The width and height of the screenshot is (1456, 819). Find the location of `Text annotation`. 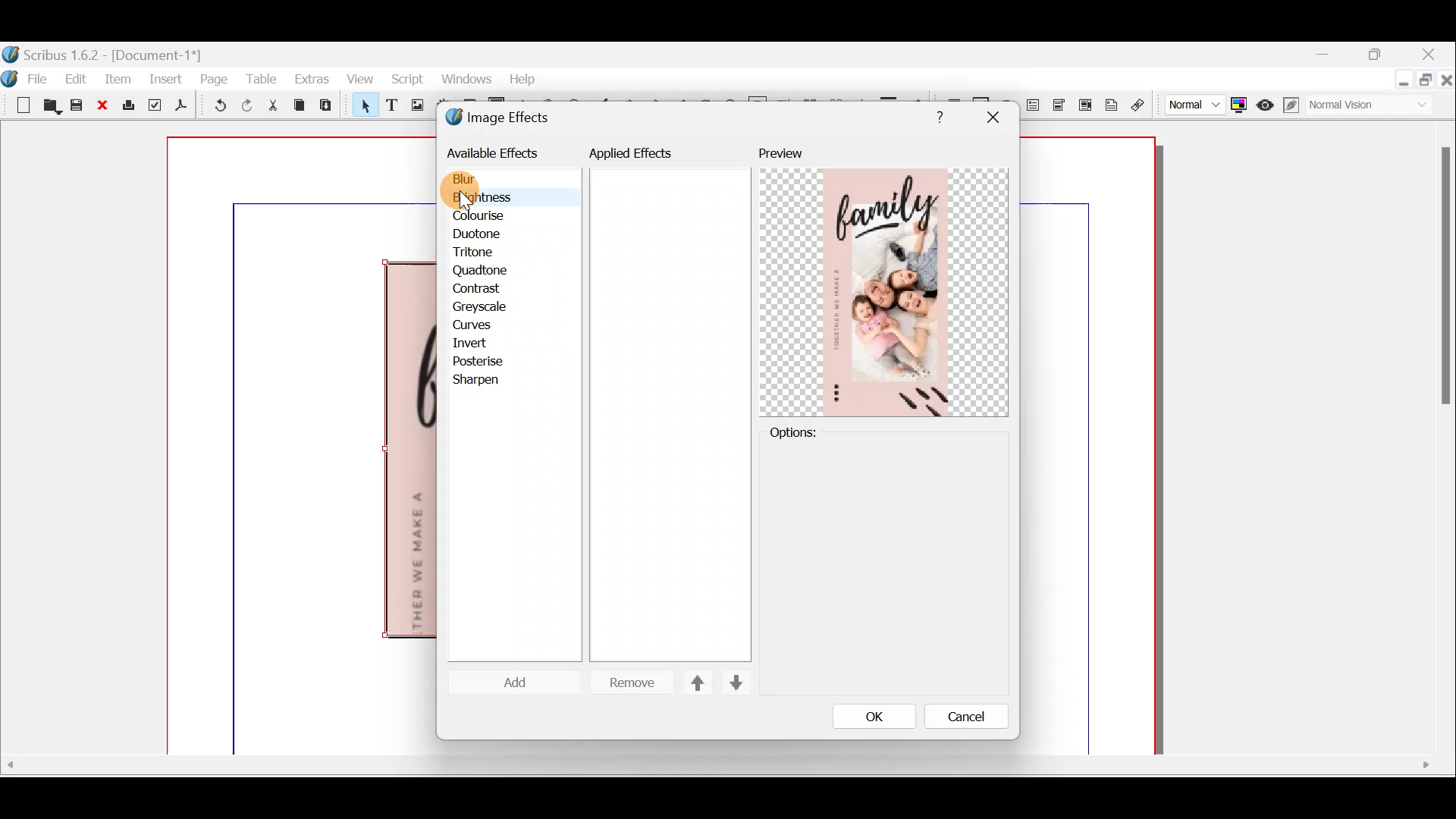

Text annotation is located at coordinates (1111, 103).